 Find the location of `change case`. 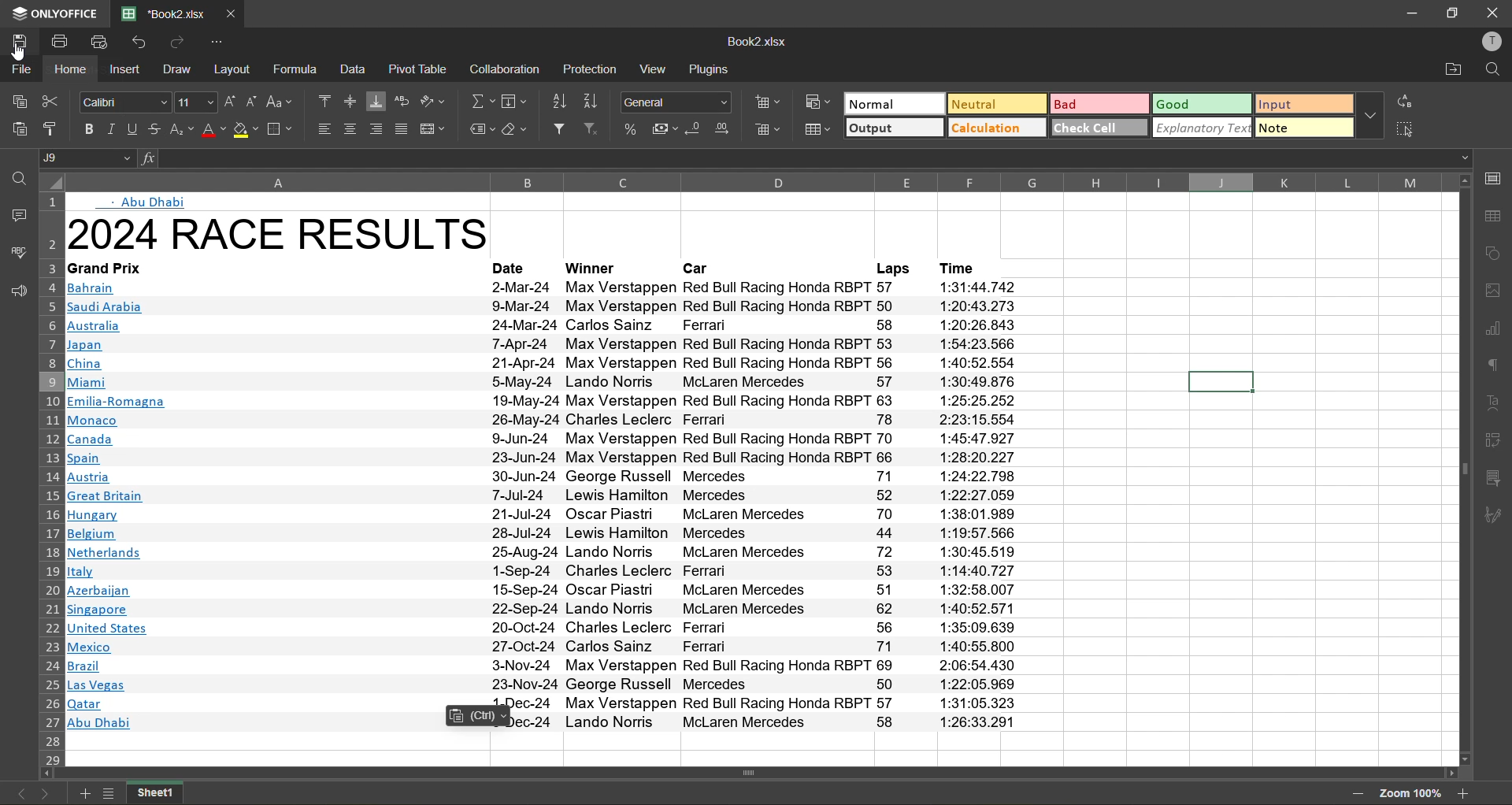

change case is located at coordinates (284, 98).